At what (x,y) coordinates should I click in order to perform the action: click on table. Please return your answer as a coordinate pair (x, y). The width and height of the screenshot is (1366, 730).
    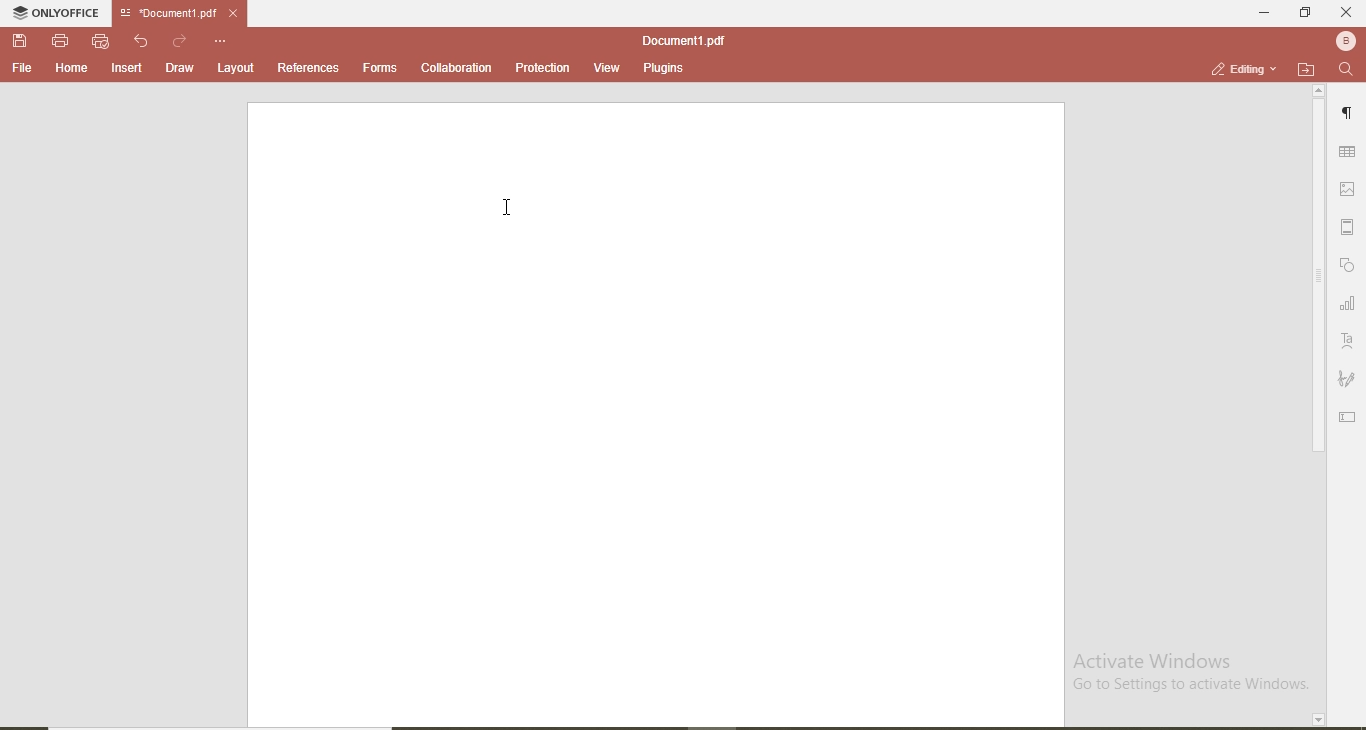
    Looking at the image, I should click on (1349, 152).